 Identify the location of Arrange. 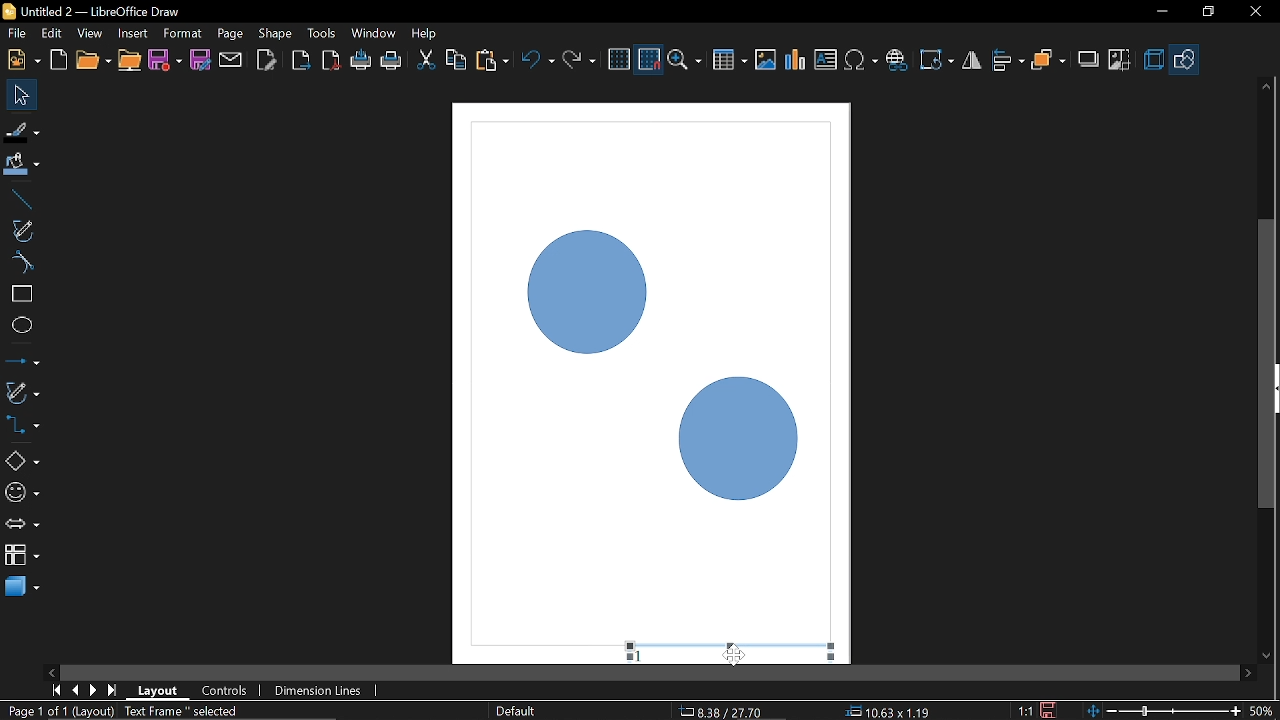
(1048, 61).